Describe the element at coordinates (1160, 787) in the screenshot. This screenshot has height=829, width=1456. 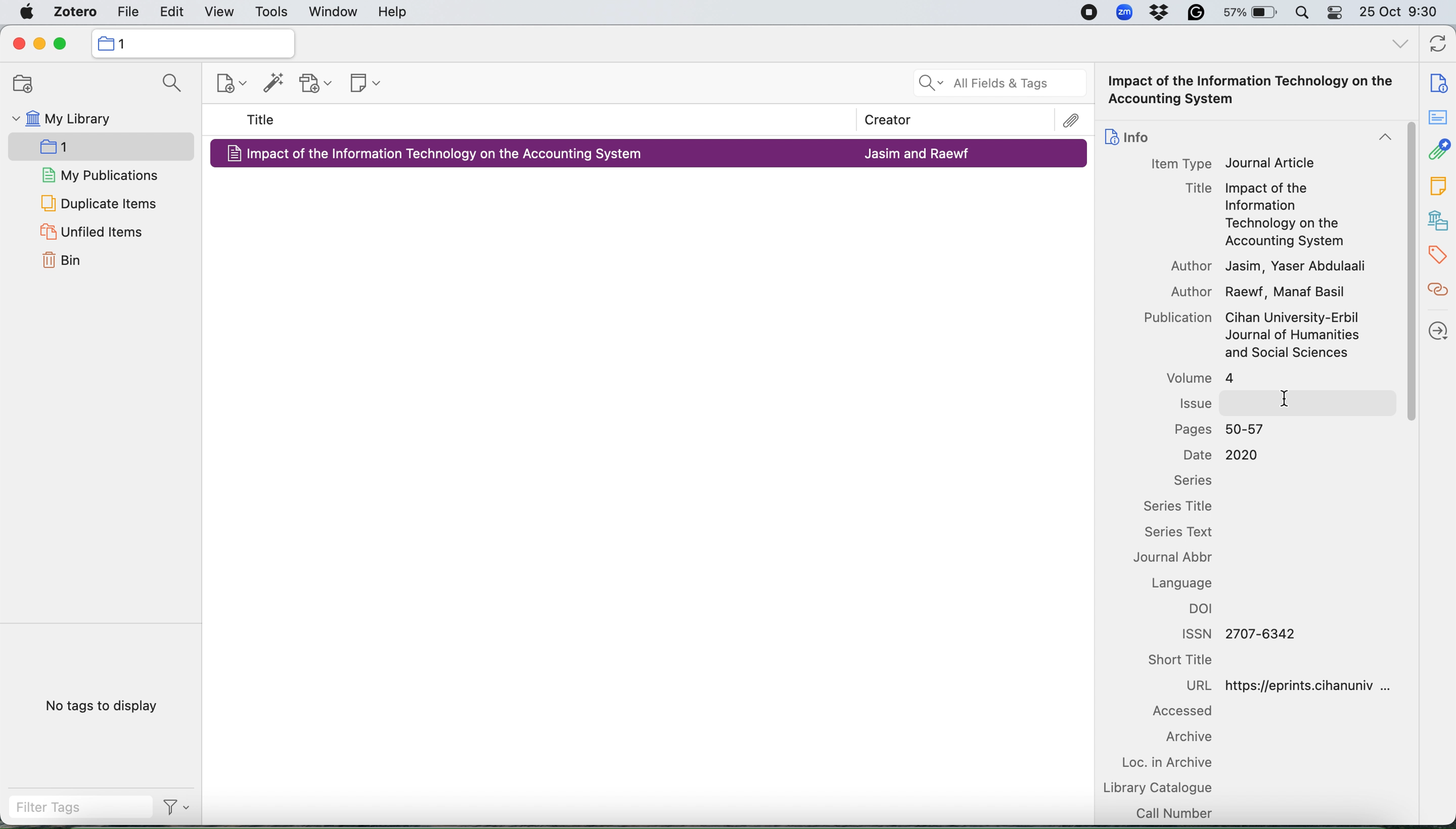
I see `library catalogue` at that location.